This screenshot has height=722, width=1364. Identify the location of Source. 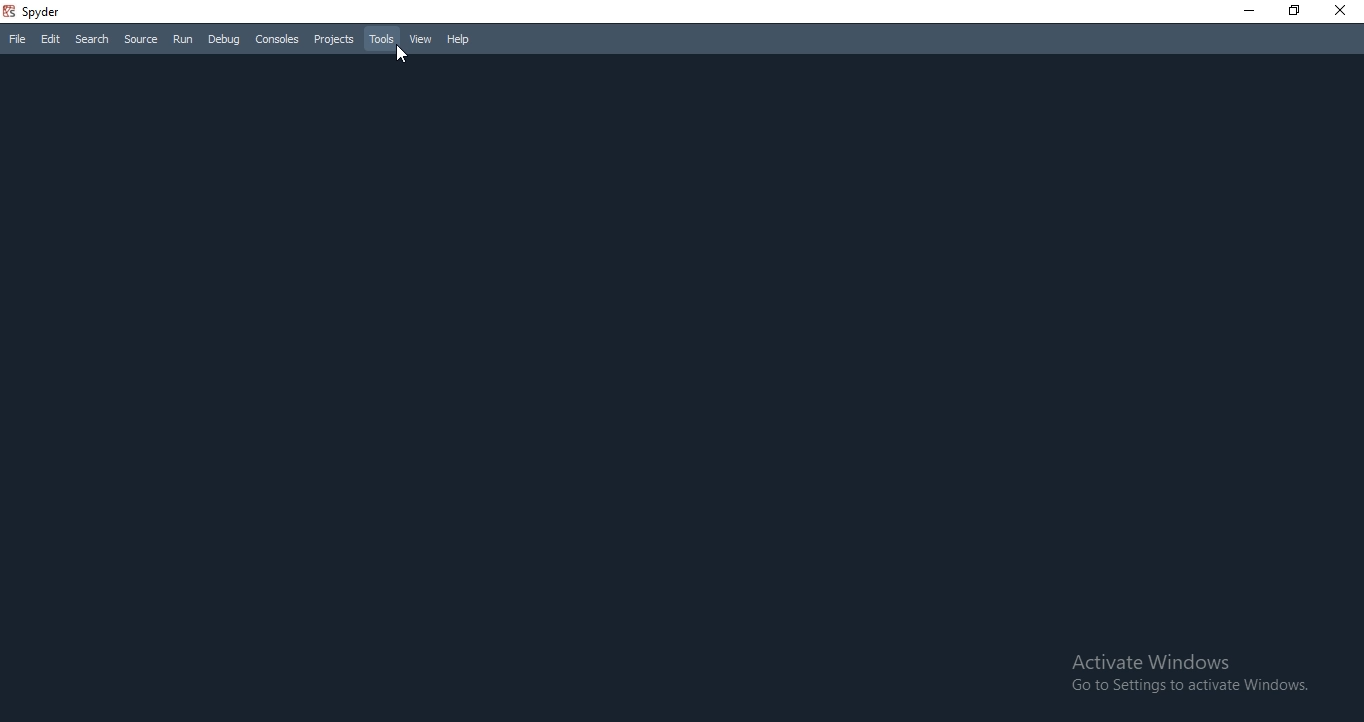
(140, 40).